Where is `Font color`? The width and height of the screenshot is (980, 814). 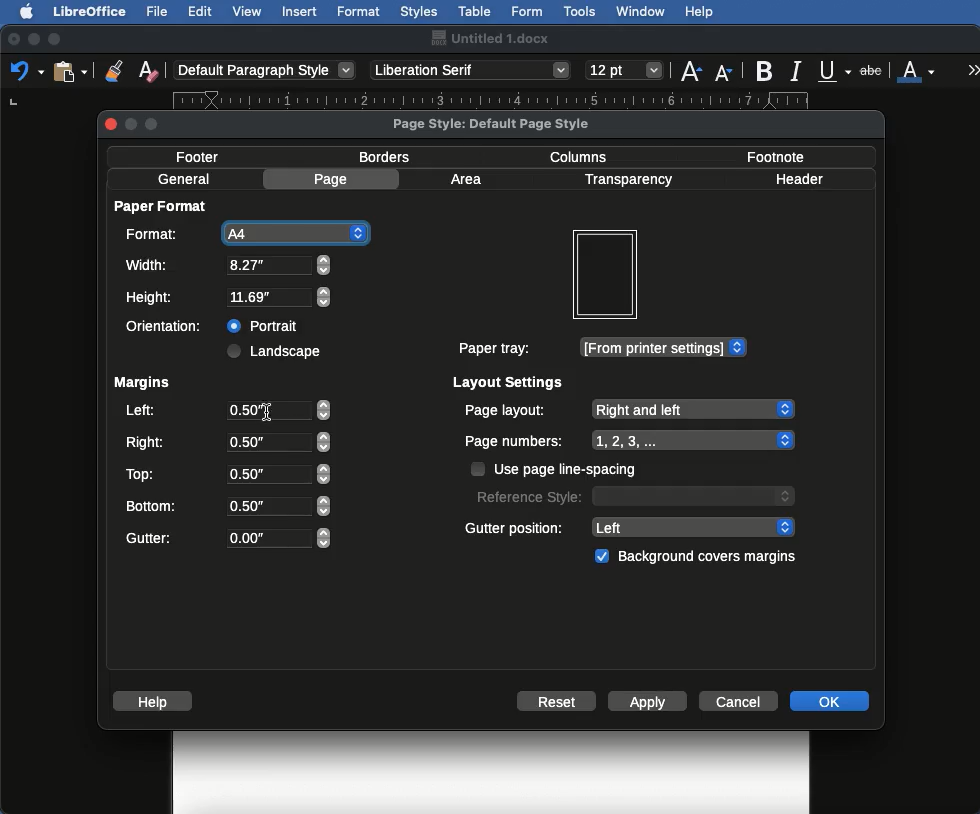
Font color is located at coordinates (917, 69).